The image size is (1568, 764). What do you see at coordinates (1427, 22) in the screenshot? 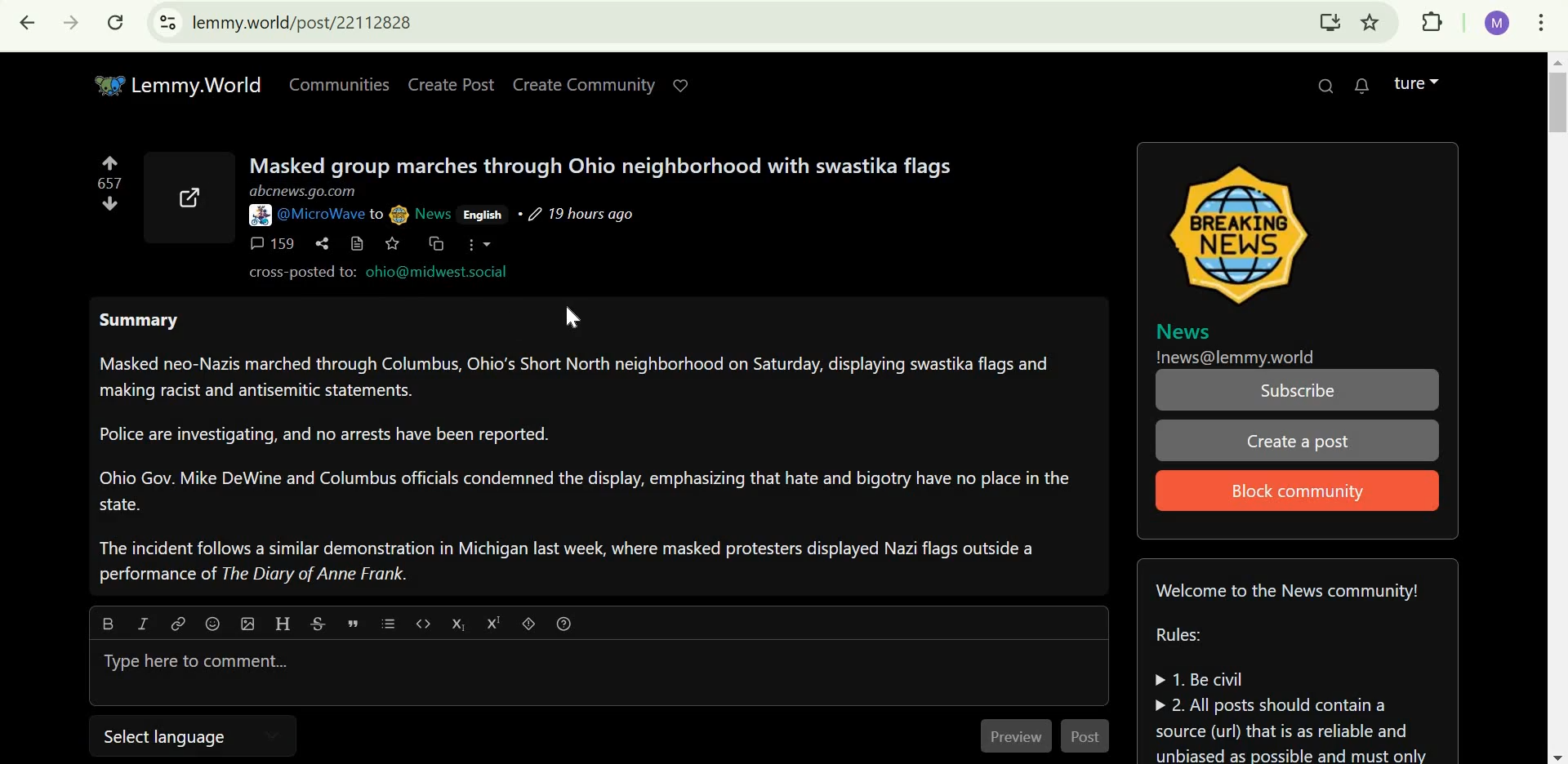
I see `extensions` at bounding box center [1427, 22].